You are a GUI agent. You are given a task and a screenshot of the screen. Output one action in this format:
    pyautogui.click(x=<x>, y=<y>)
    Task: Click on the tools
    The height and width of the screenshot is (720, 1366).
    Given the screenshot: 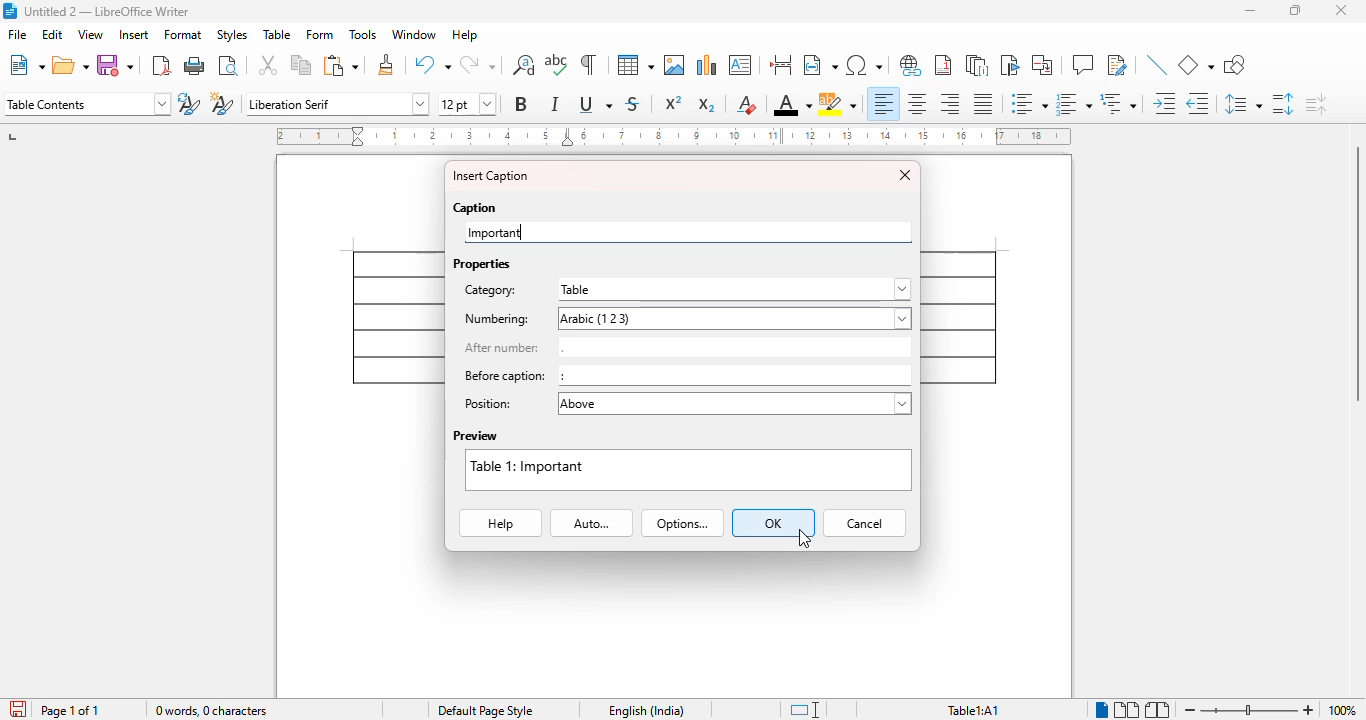 What is the action you would take?
    pyautogui.click(x=363, y=34)
    